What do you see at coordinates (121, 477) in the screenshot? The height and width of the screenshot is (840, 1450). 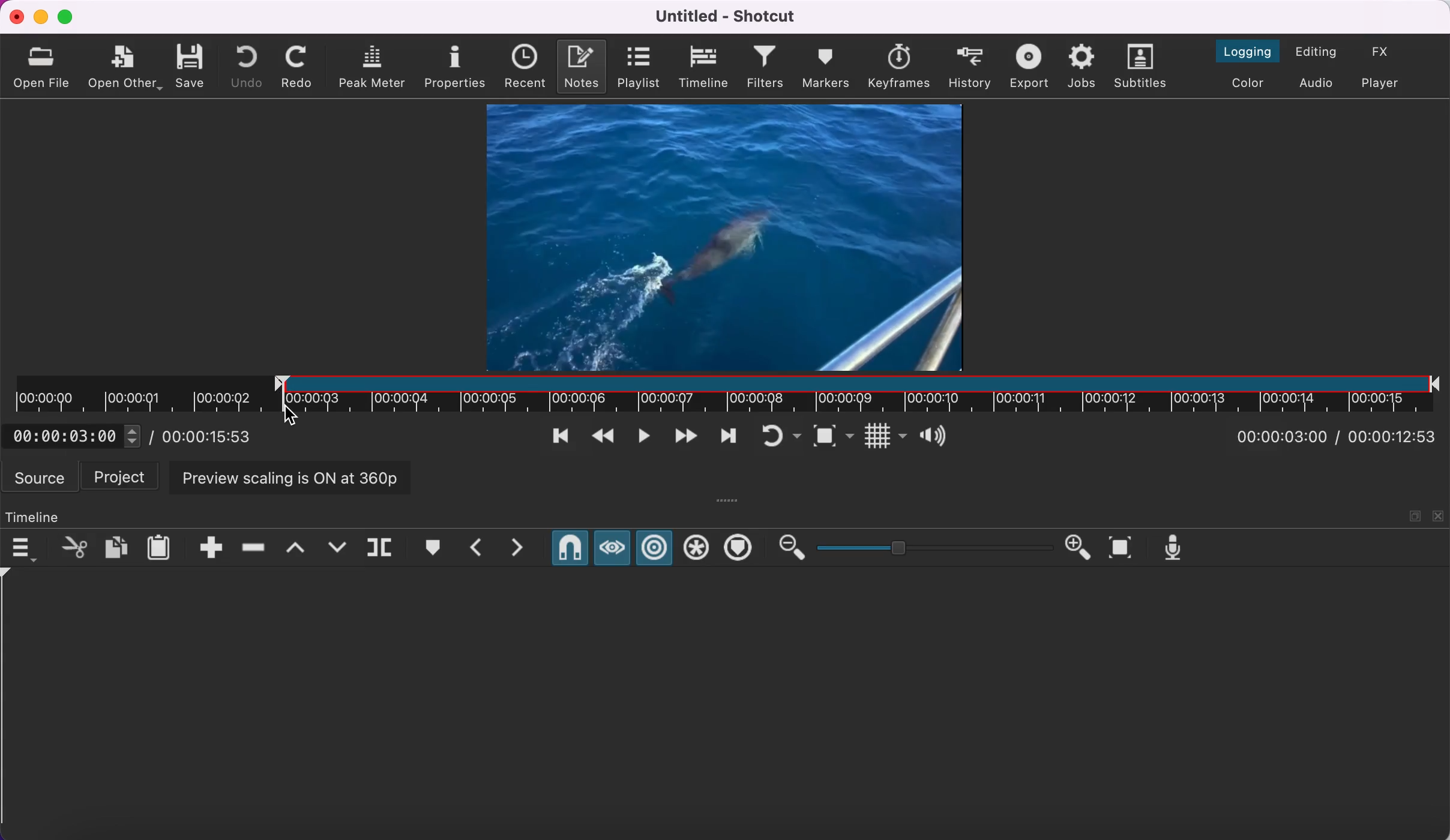 I see `project` at bounding box center [121, 477].